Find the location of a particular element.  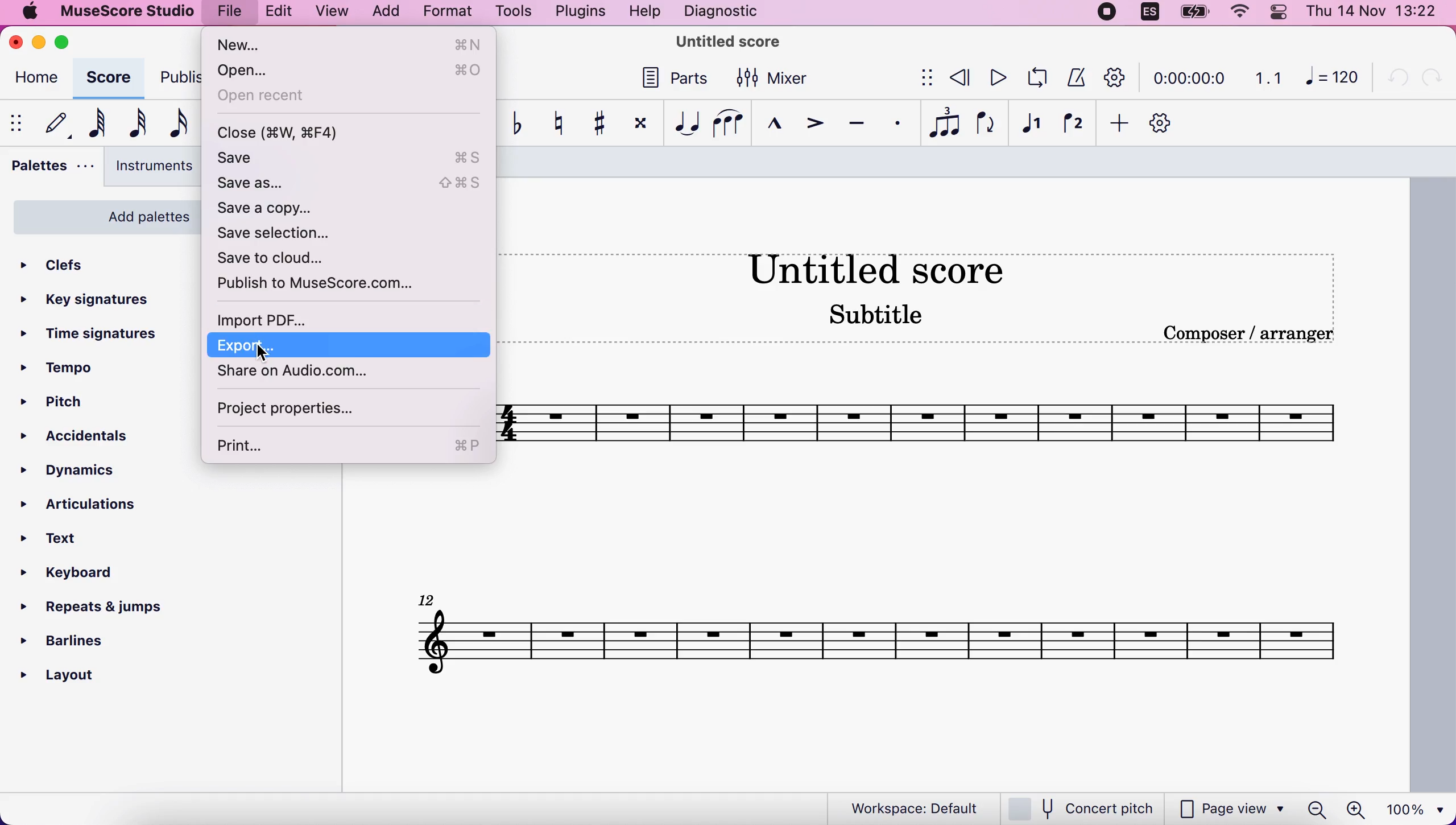

minimize is located at coordinates (40, 43).